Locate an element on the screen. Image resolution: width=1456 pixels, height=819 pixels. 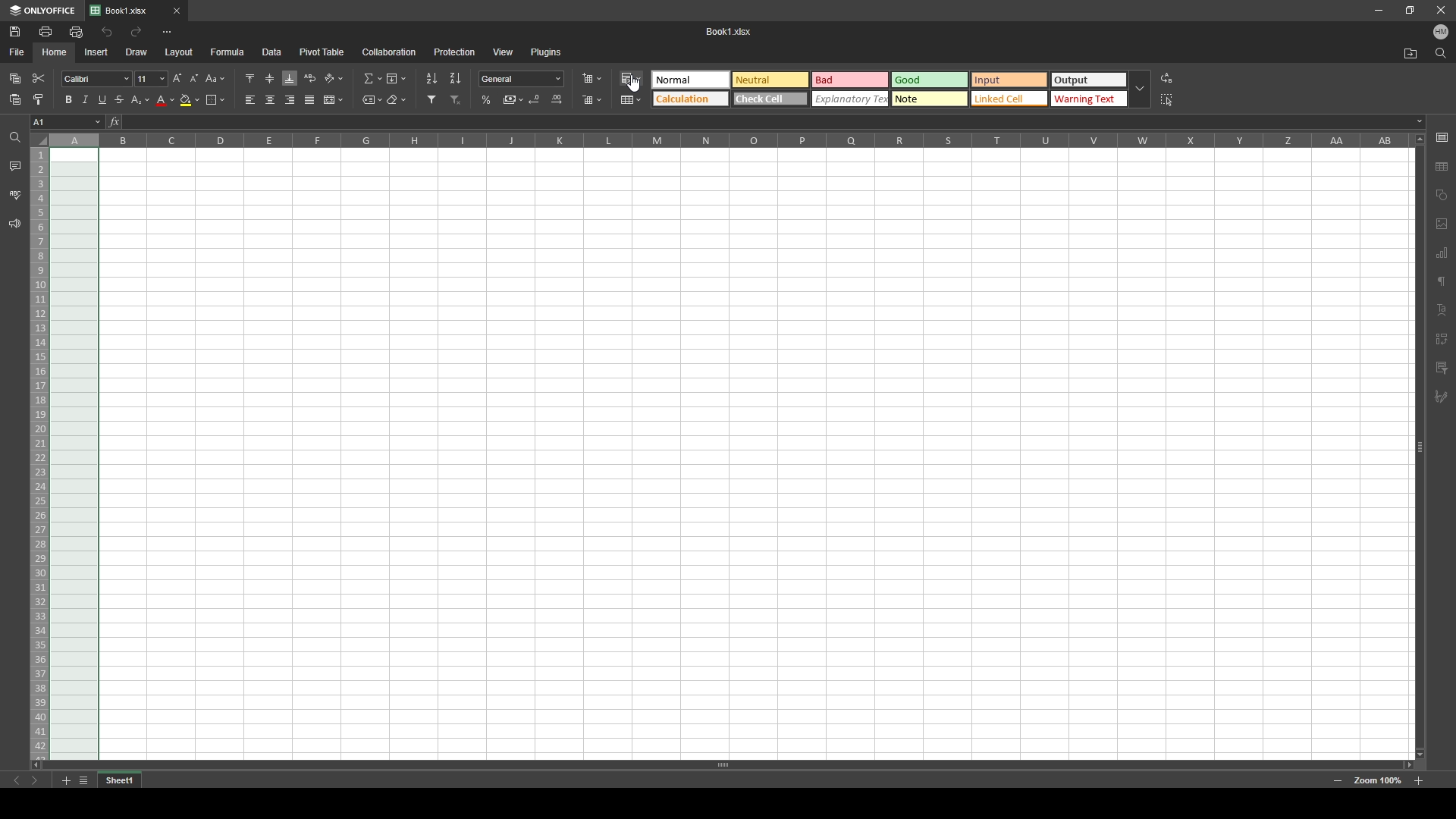
zoom out is located at coordinates (1338, 782).